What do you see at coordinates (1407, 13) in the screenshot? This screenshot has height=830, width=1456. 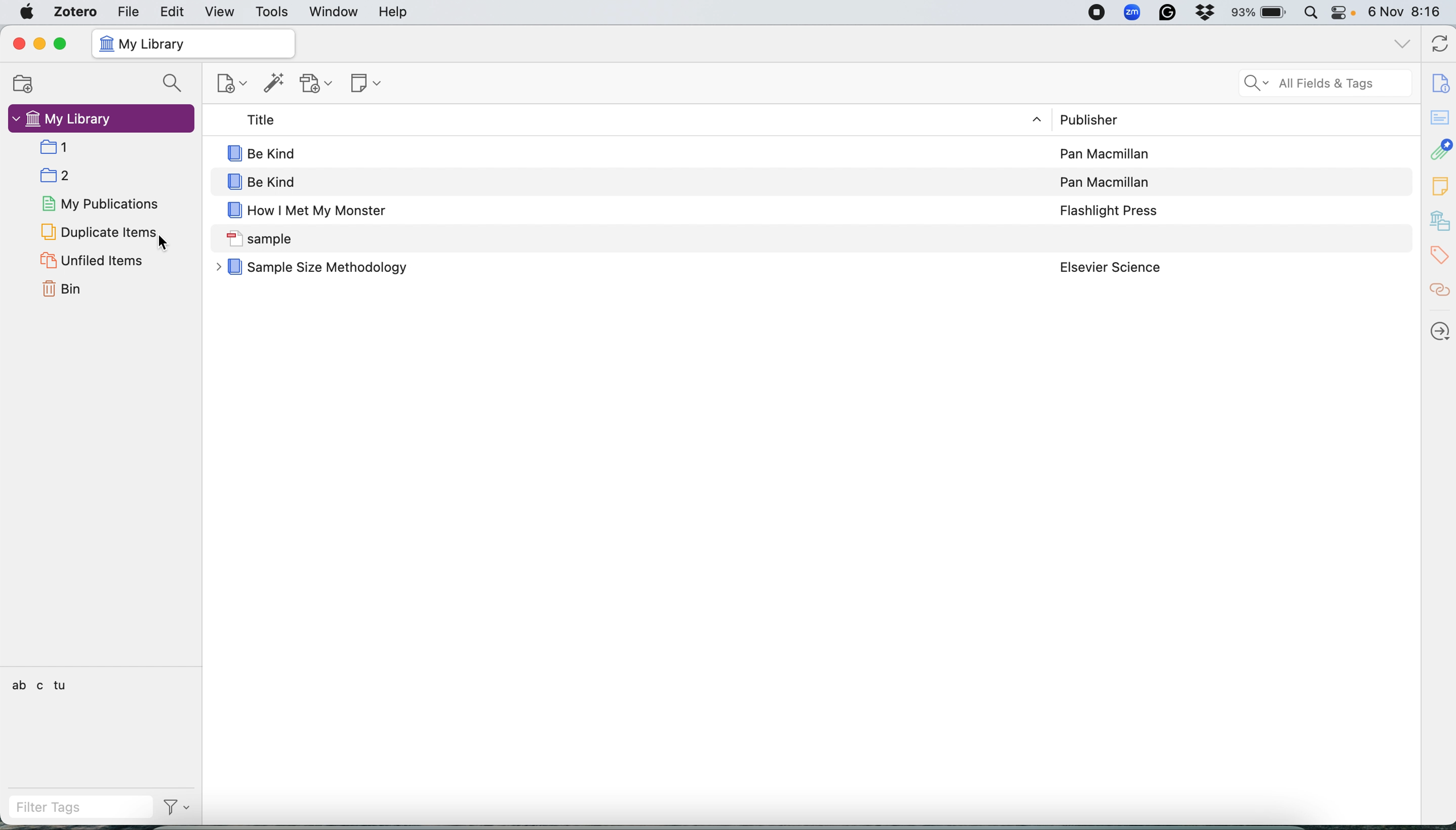 I see `6 Nov 8:16` at bounding box center [1407, 13].